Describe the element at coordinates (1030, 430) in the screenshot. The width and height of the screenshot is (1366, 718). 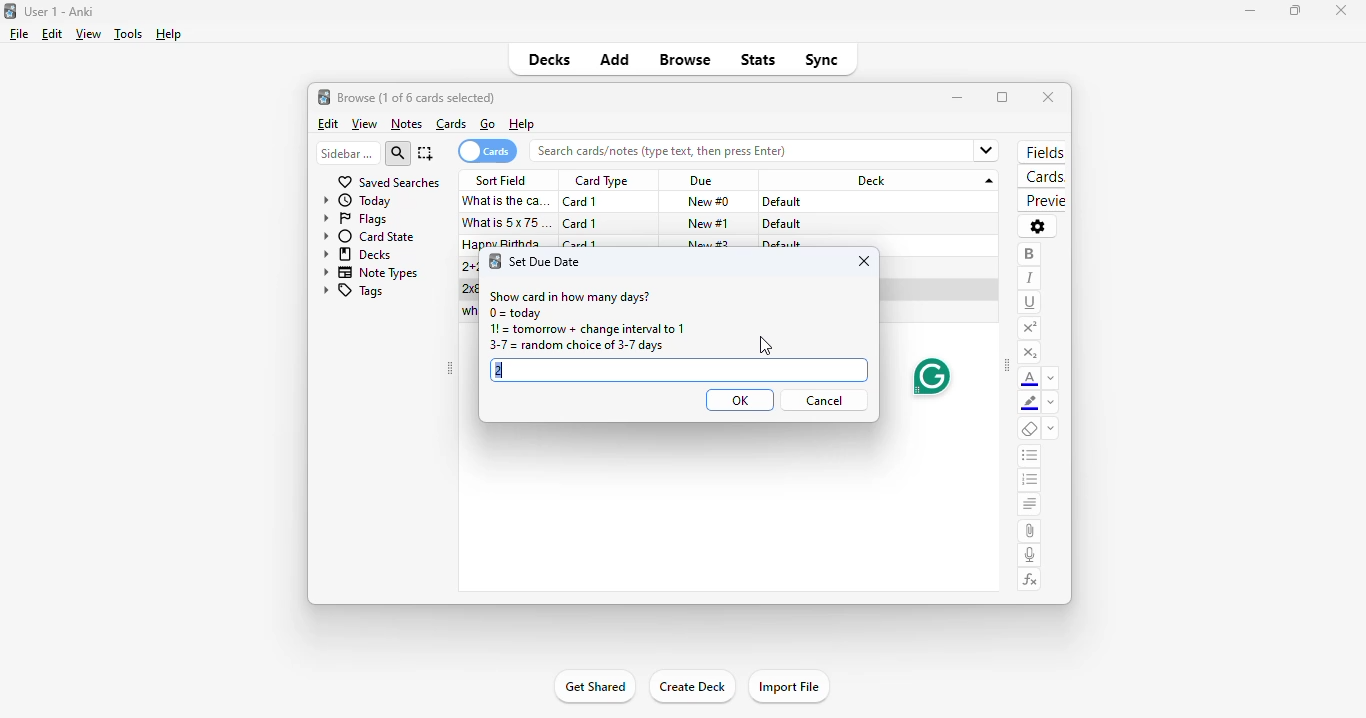
I see `remove formatting` at that location.